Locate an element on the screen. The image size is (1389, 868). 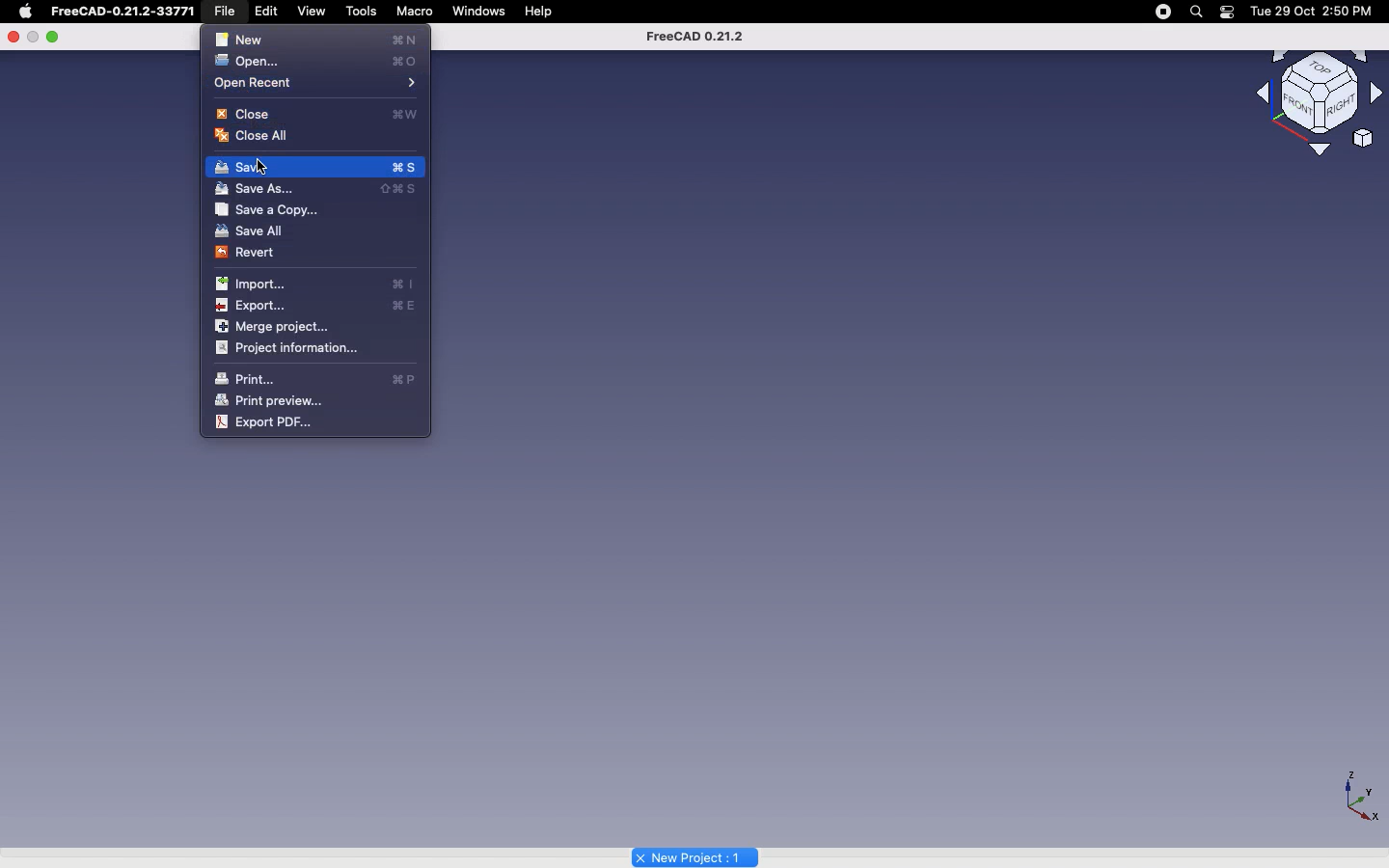
Open  is located at coordinates (320, 62).